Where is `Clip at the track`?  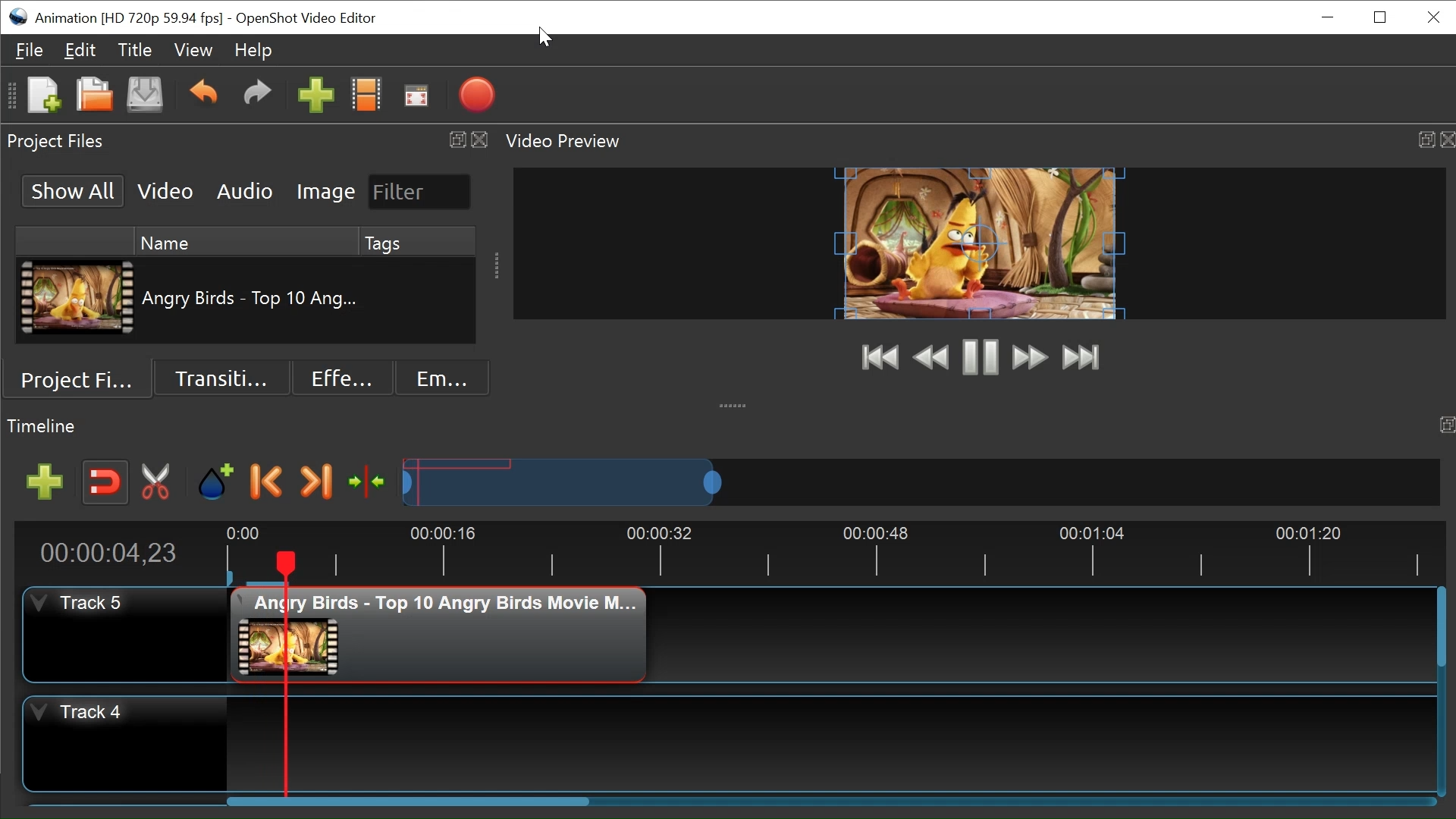 Clip at the track is located at coordinates (439, 635).